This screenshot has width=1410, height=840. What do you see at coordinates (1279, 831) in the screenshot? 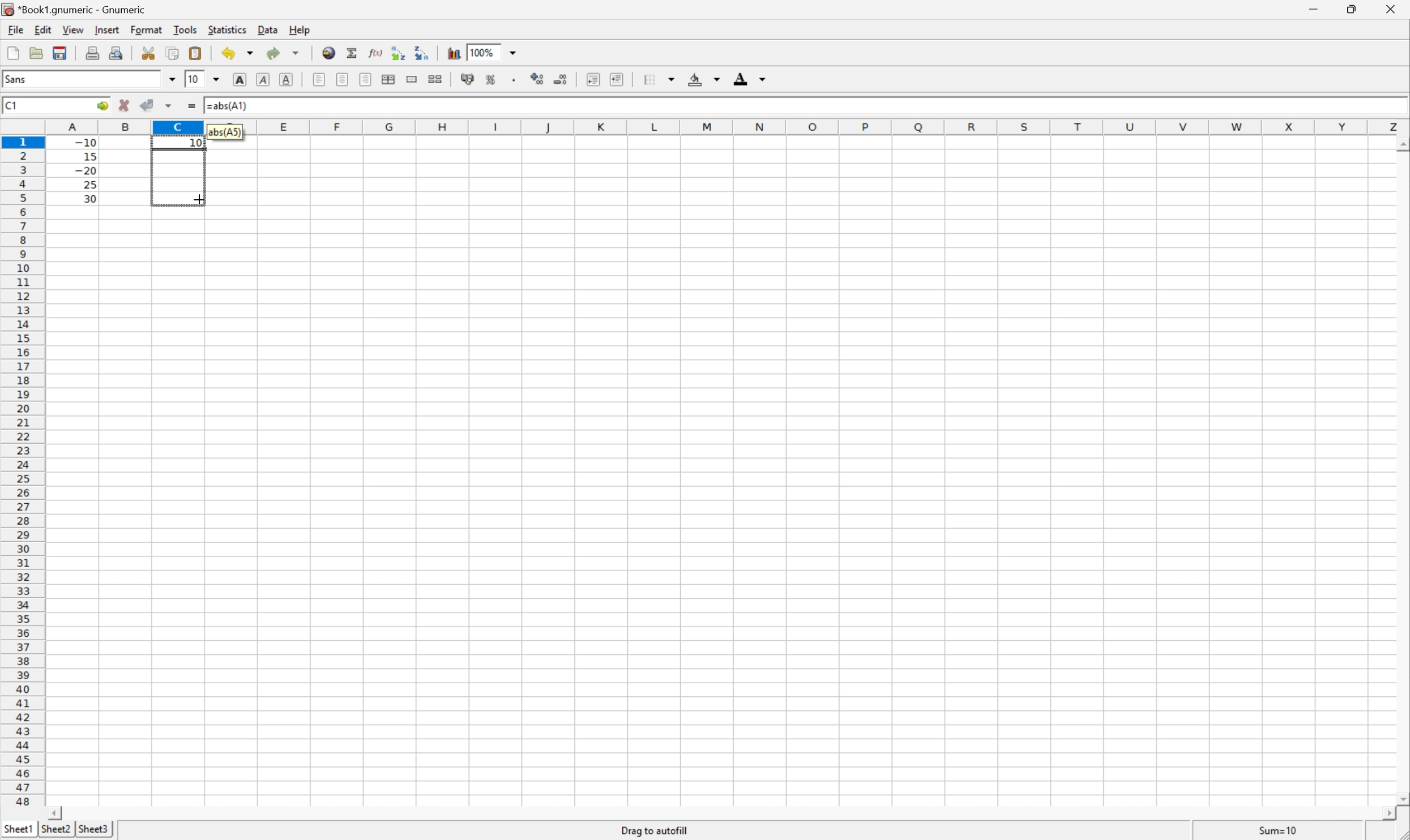
I see `Sum =-10` at bounding box center [1279, 831].